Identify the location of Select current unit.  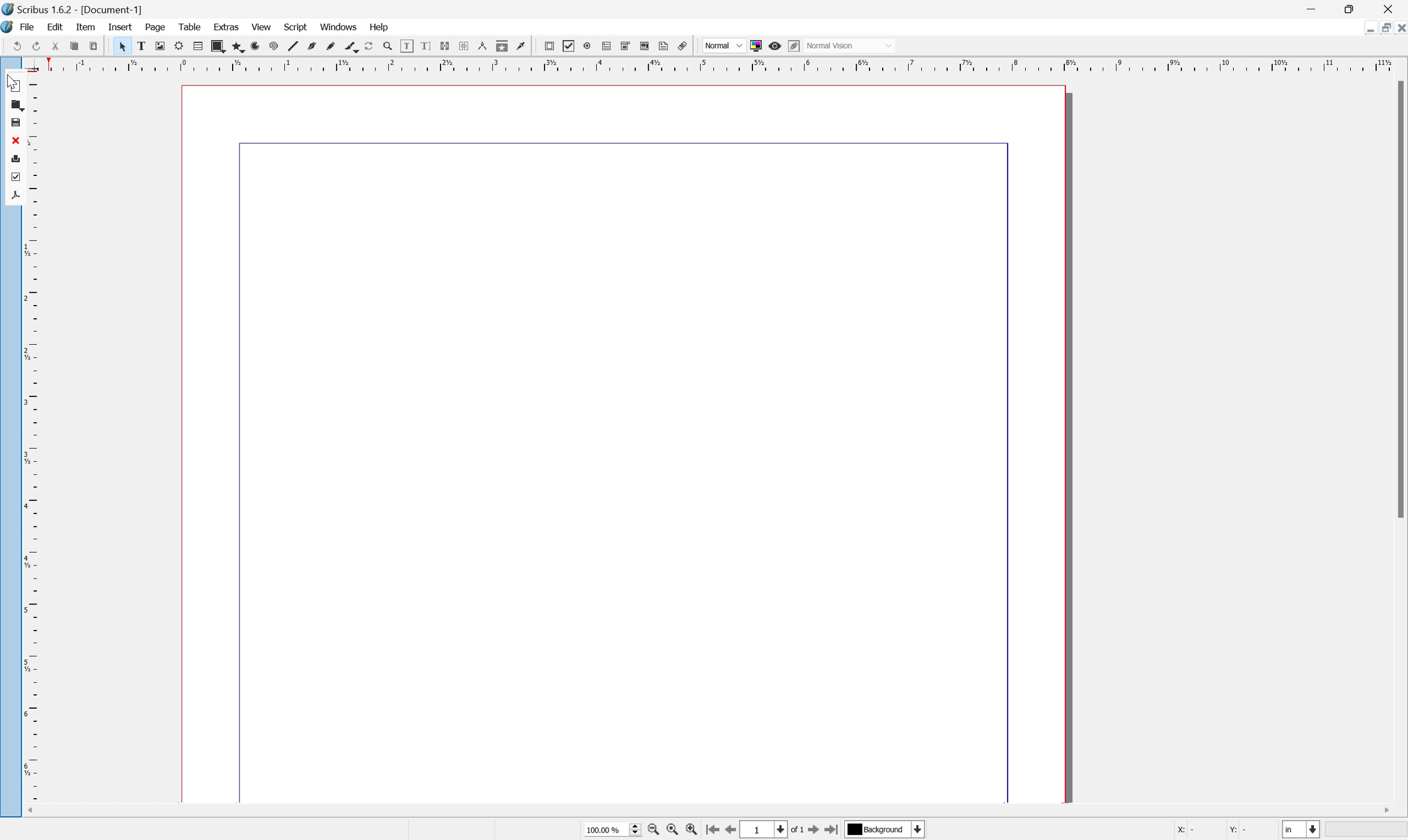
(1300, 829).